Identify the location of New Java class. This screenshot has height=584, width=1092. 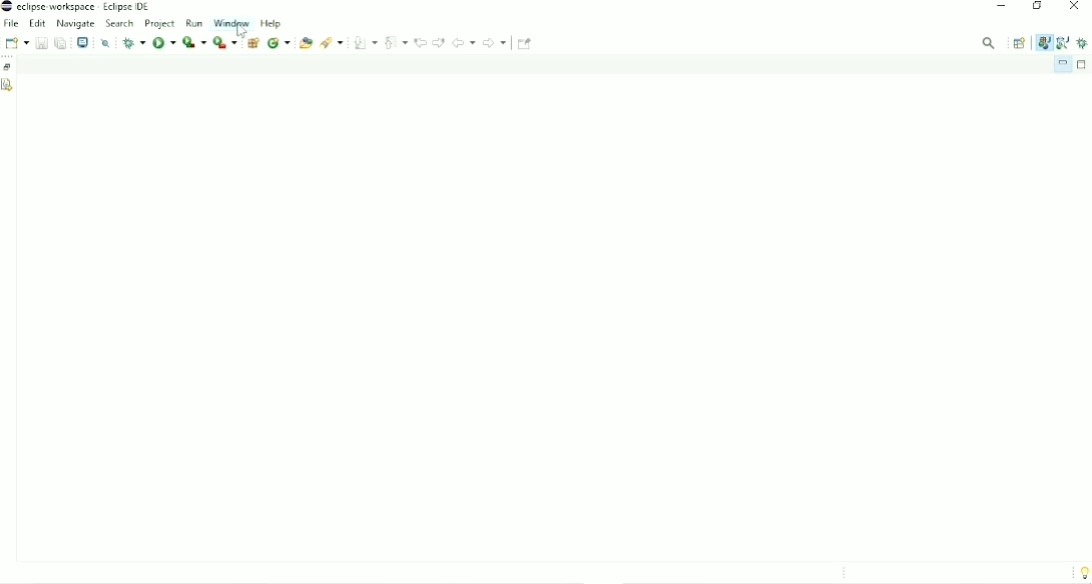
(279, 42).